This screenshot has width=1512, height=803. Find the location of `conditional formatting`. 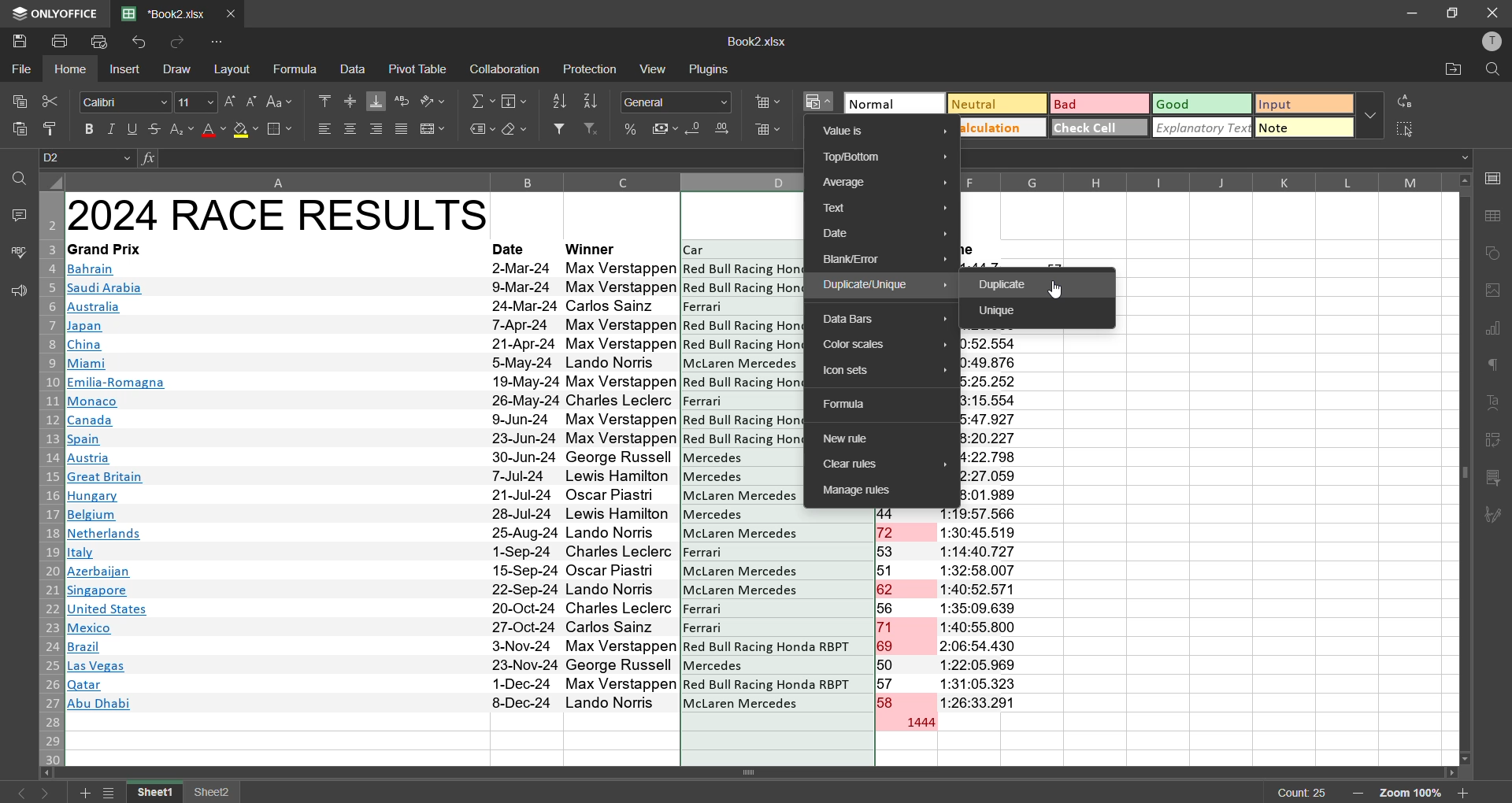

conditional formatting is located at coordinates (821, 102).